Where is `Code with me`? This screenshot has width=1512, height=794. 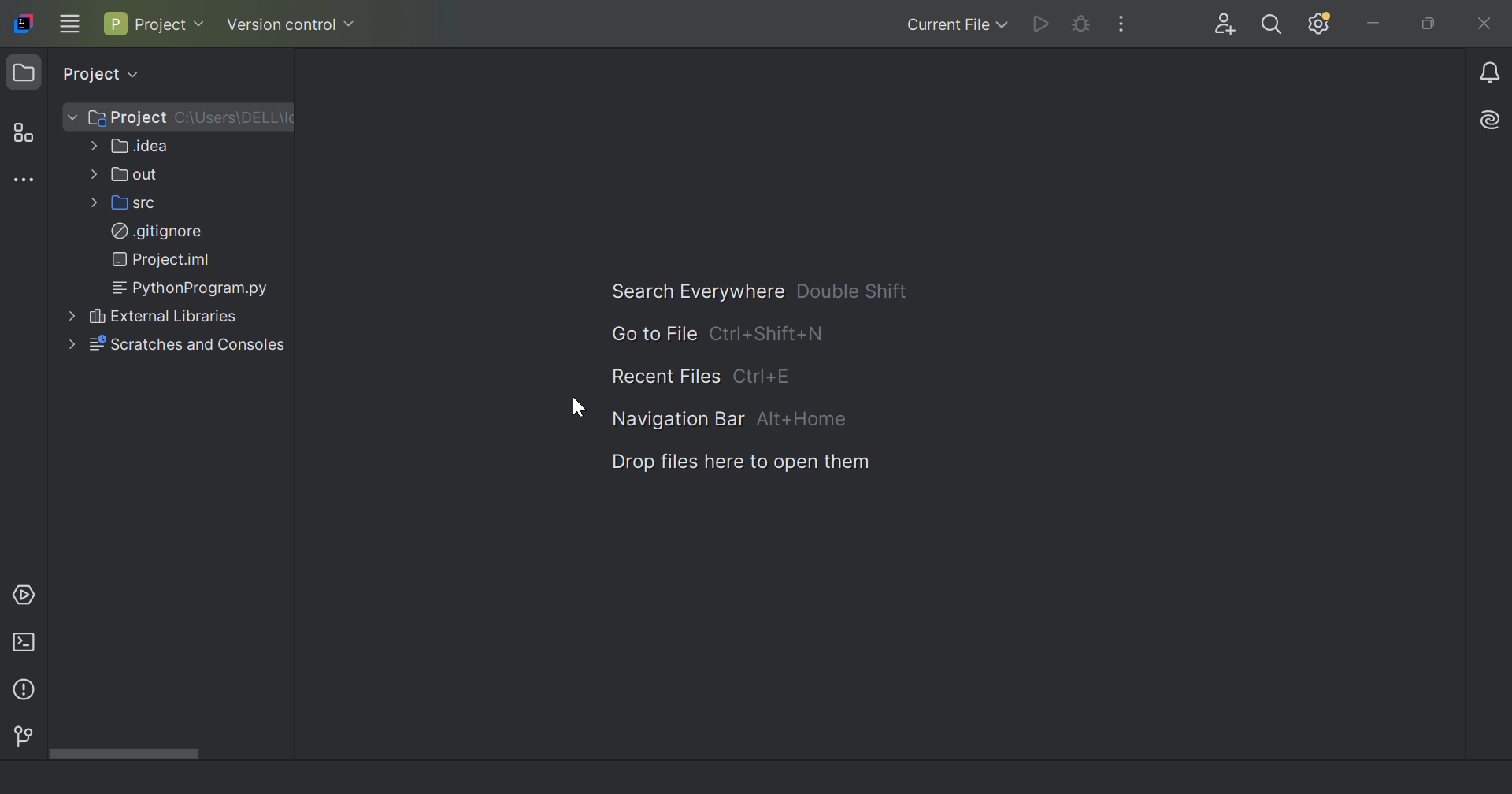
Code with me is located at coordinates (1220, 25).